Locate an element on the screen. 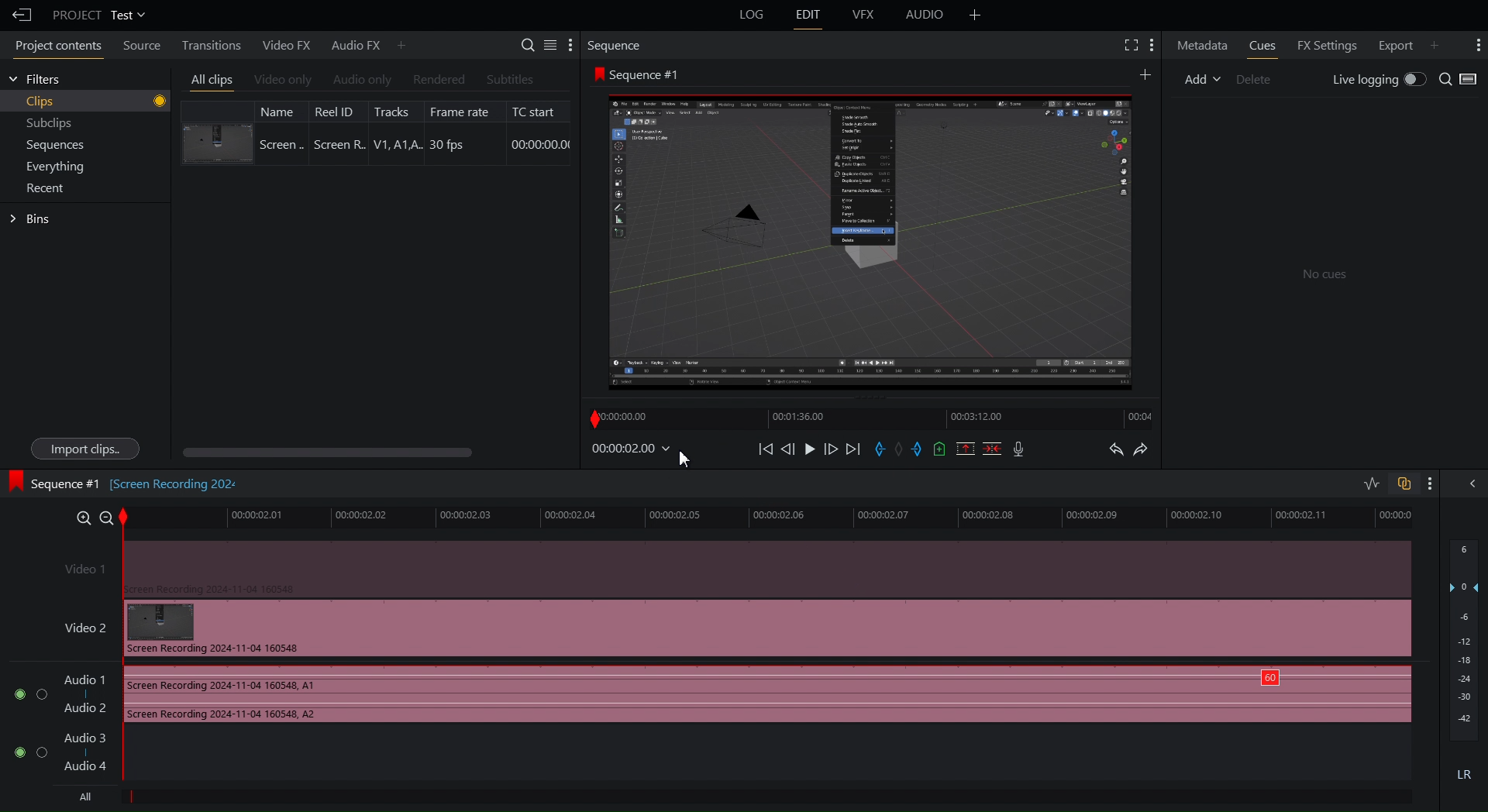 The width and height of the screenshot is (1488, 812). Redo is located at coordinates (1149, 451).